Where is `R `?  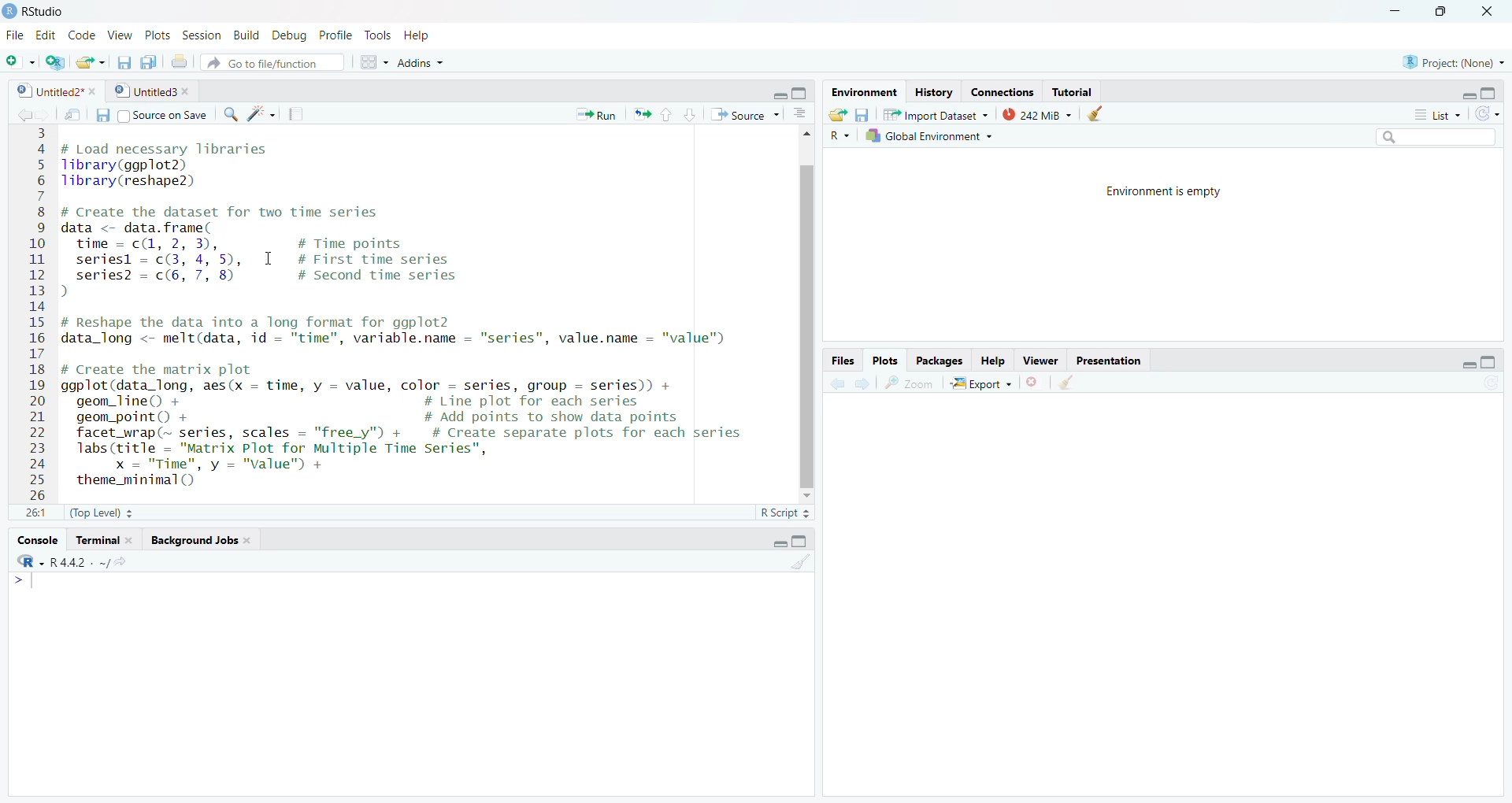 R  is located at coordinates (31, 561).